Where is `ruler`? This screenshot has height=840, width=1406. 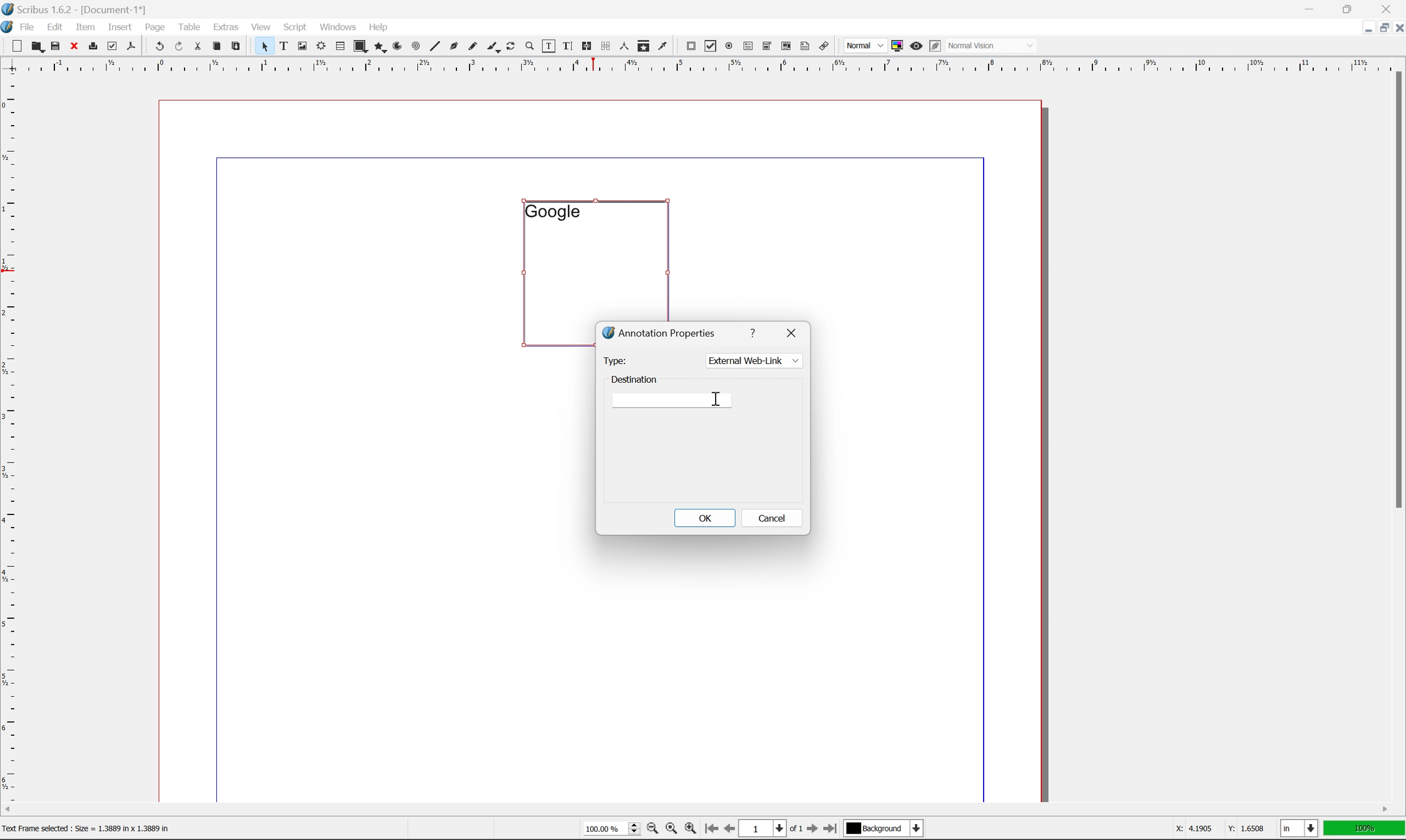
ruler is located at coordinates (10, 436).